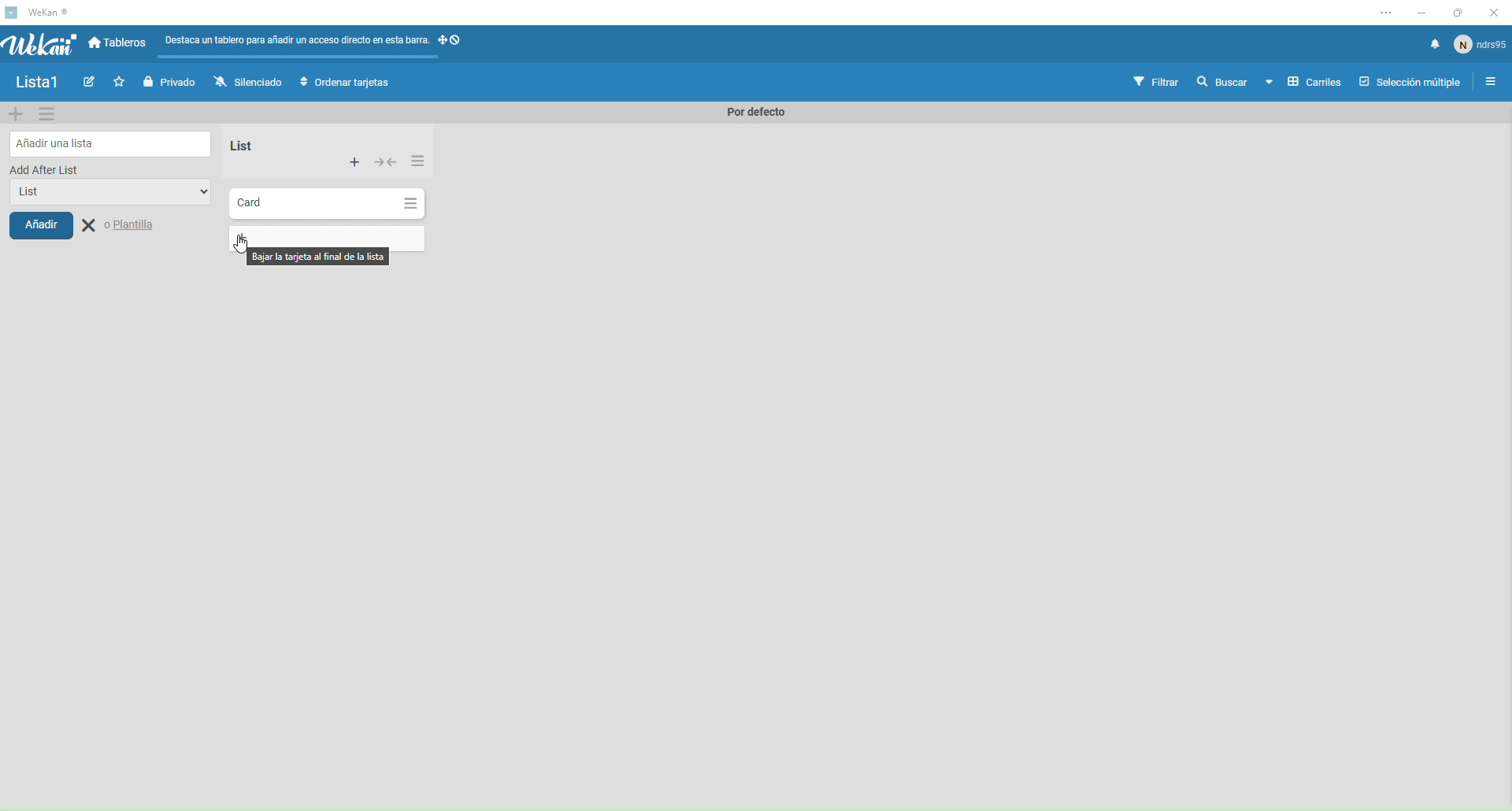  I want to click on List, so click(109, 194).